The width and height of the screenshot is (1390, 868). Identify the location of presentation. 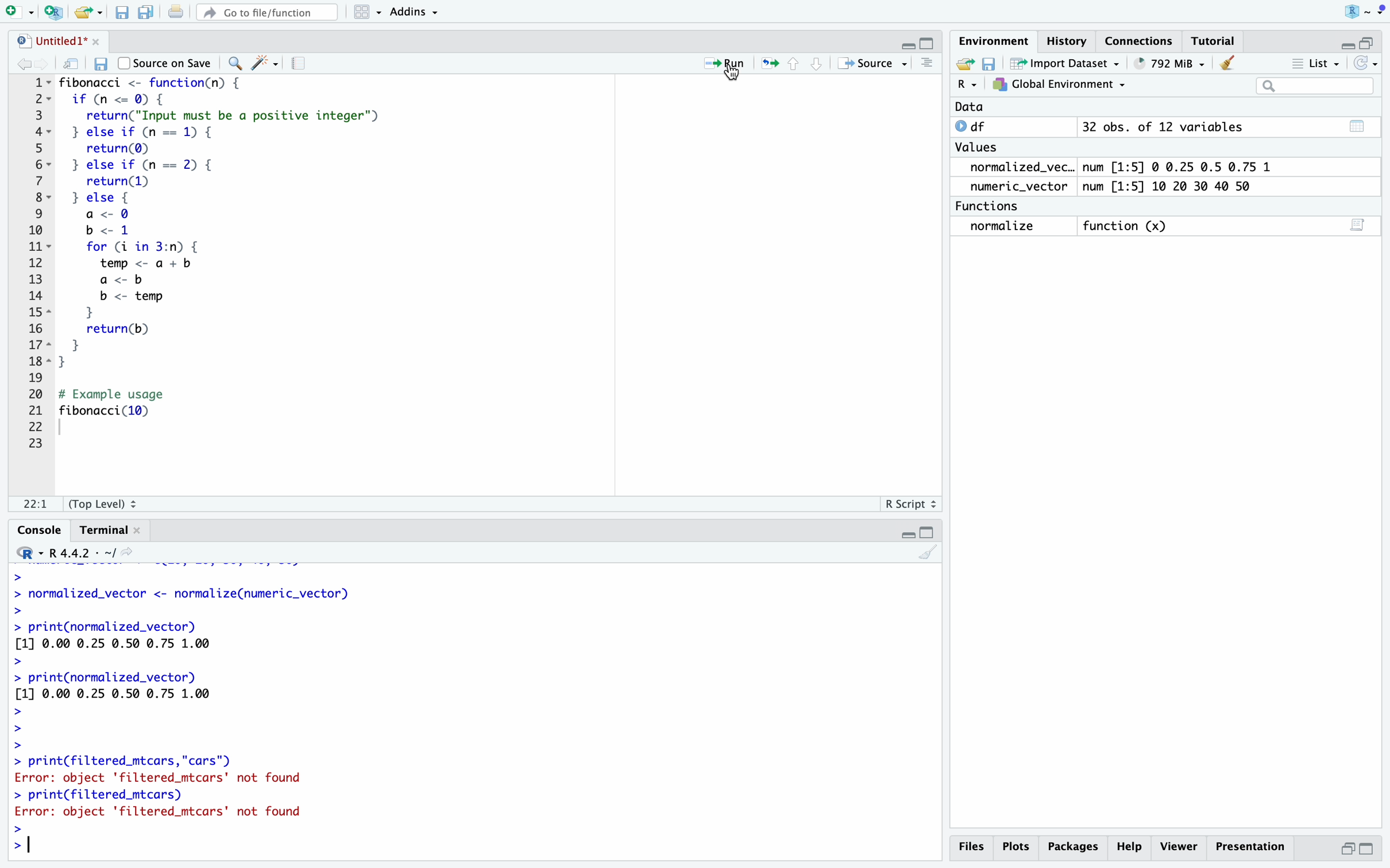
(1249, 847).